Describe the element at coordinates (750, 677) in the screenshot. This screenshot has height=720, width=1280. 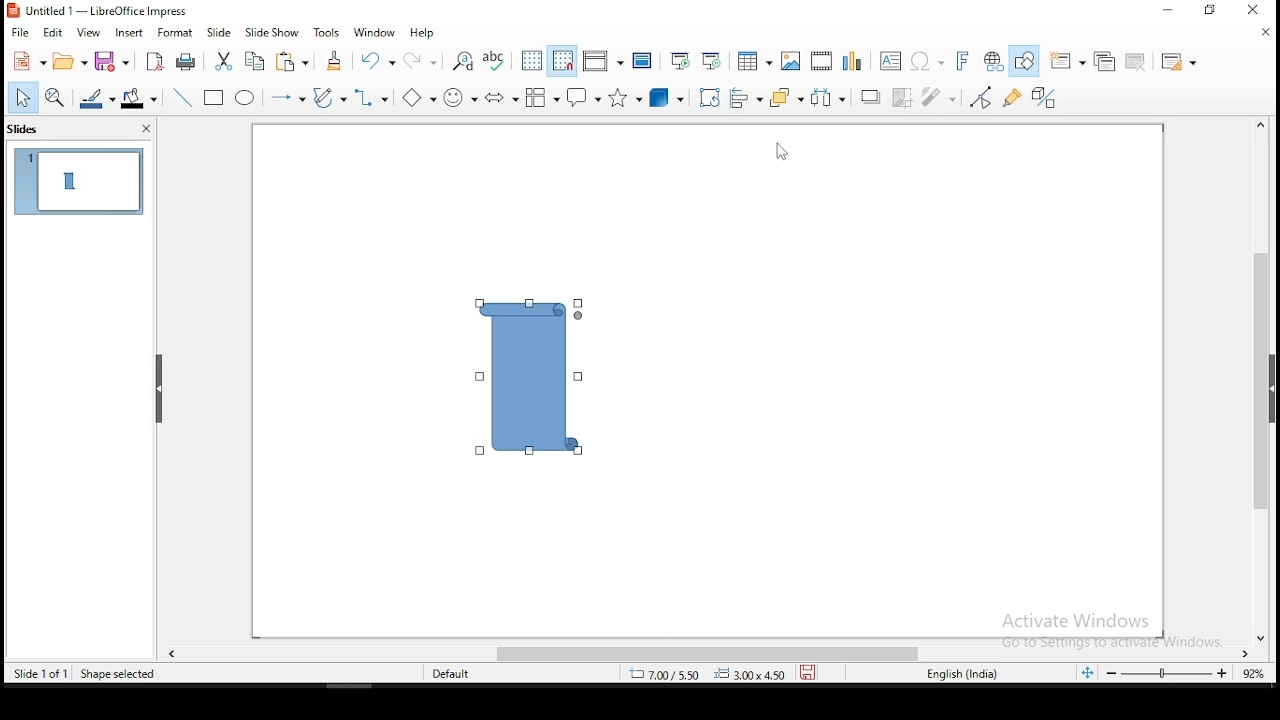
I see `0.00x0.00` at that location.